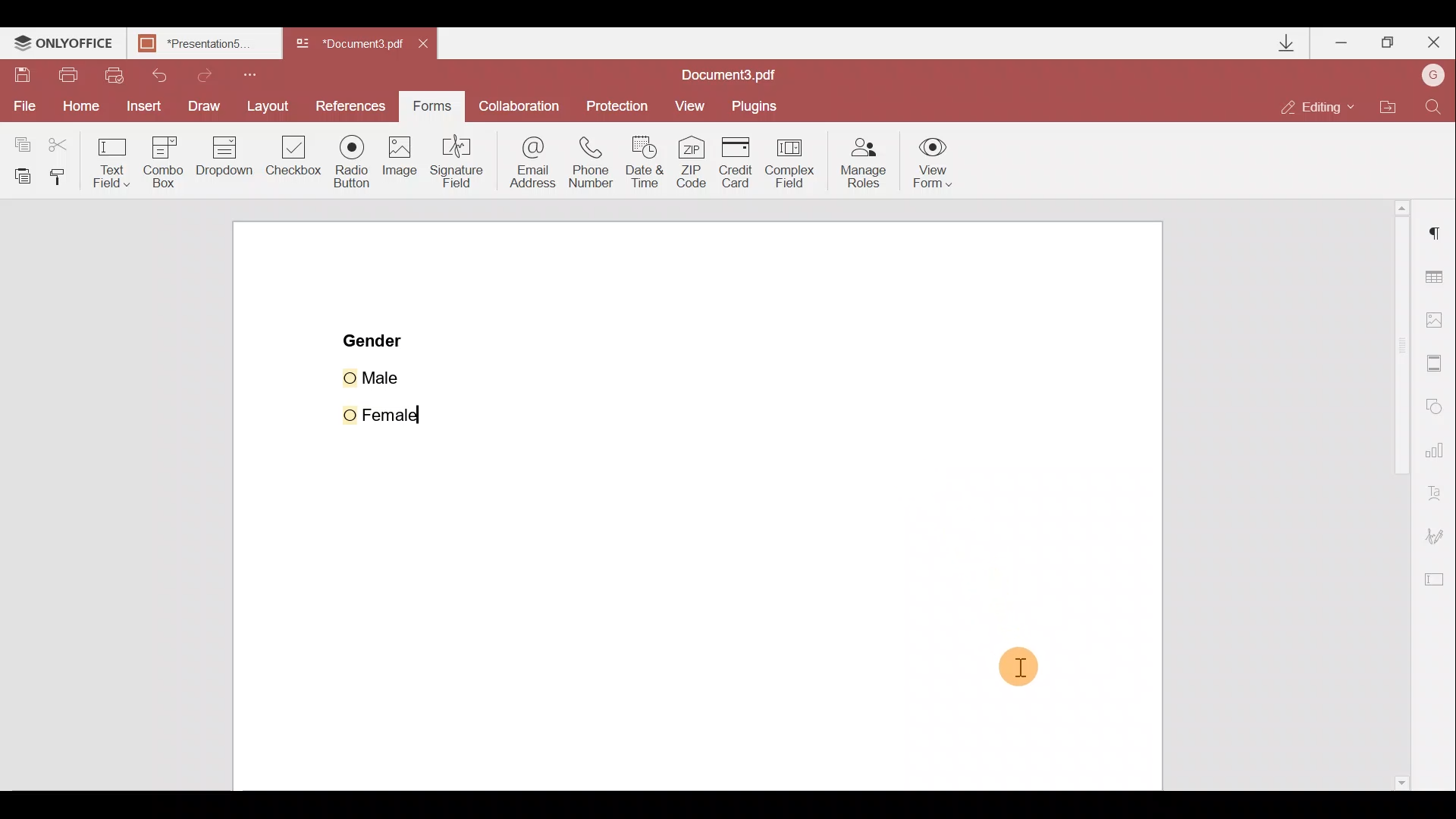 The image size is (1456, 819). Describe the element at coordinates (271, 108) in the screenshot. I see `Layout` at that location.